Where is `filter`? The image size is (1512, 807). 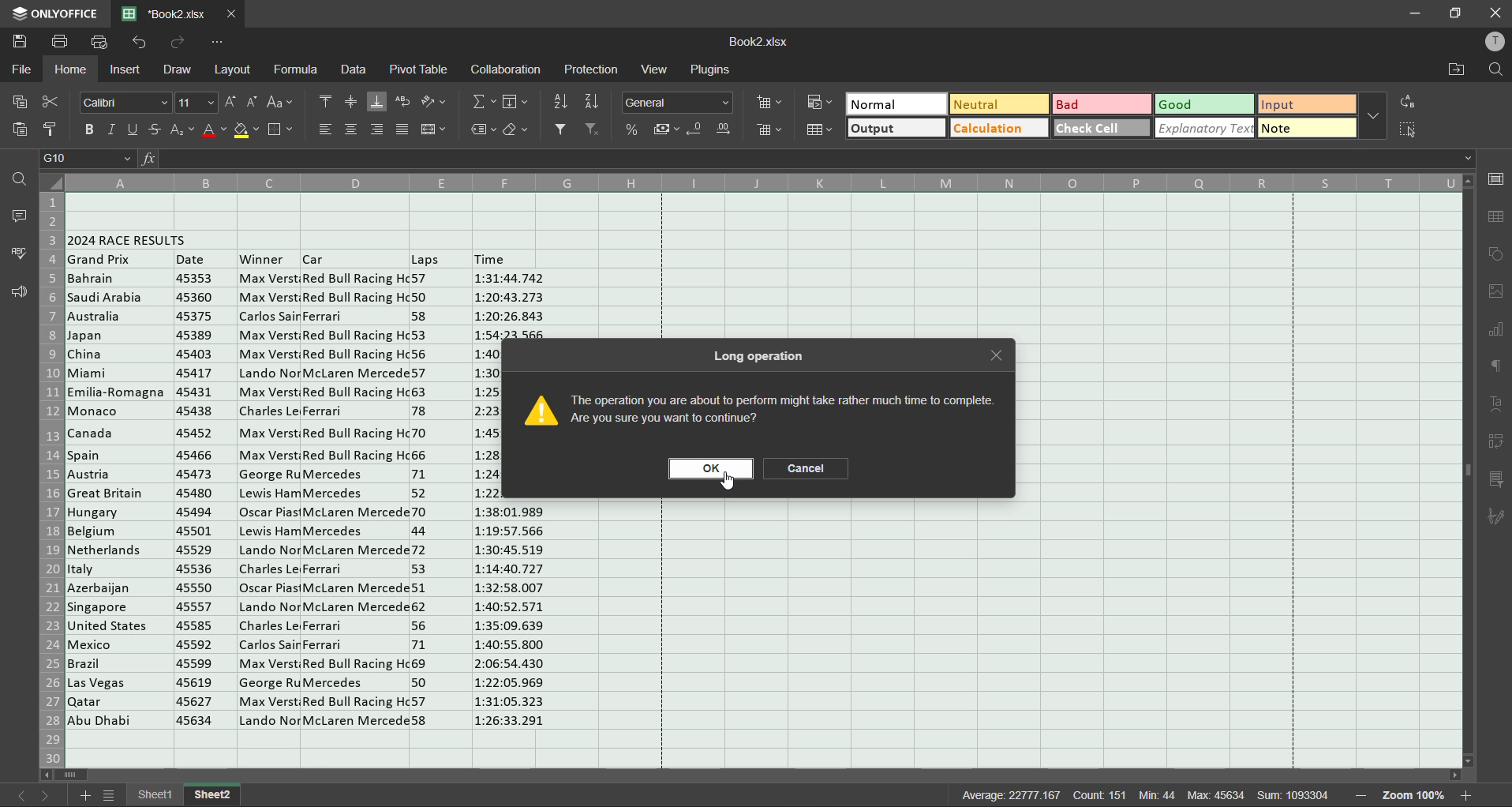
filter is located at coordinates (563, 129).